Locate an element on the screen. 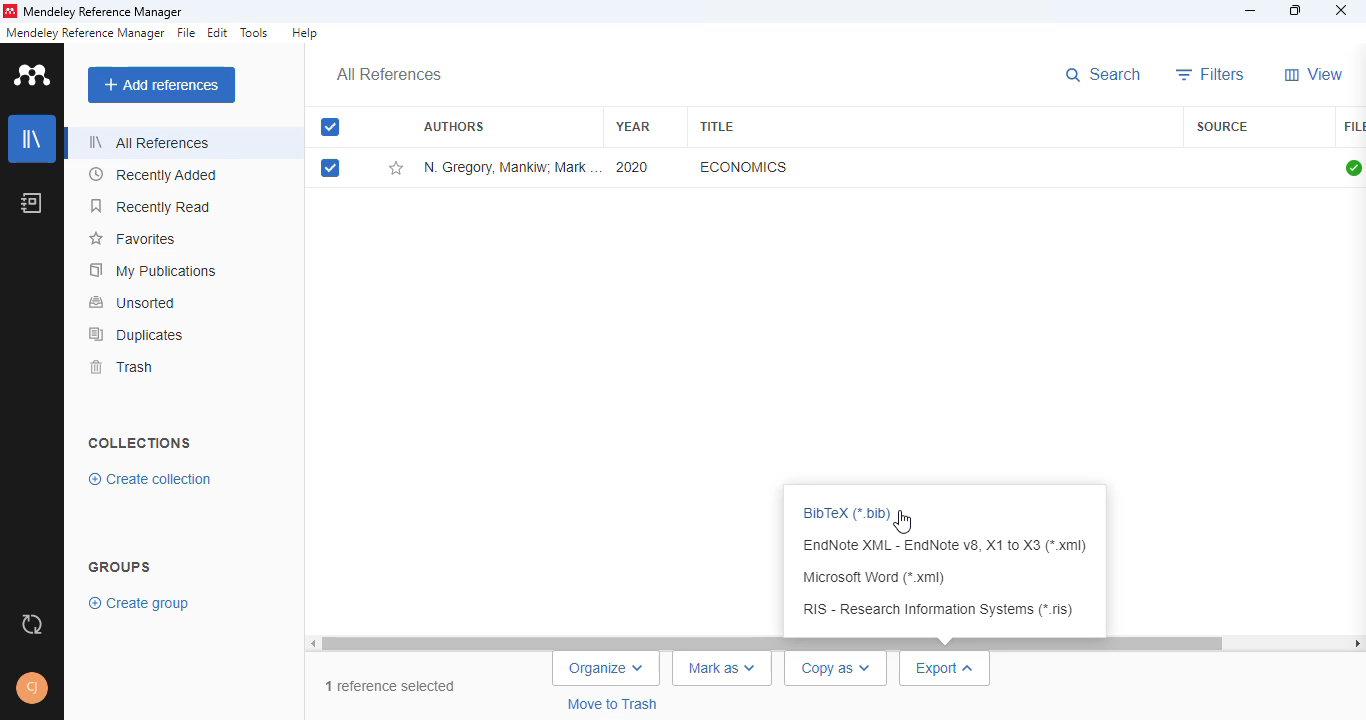 The height and width of the screenshot is (720, 1366). file is located at coordinates (186, 33).